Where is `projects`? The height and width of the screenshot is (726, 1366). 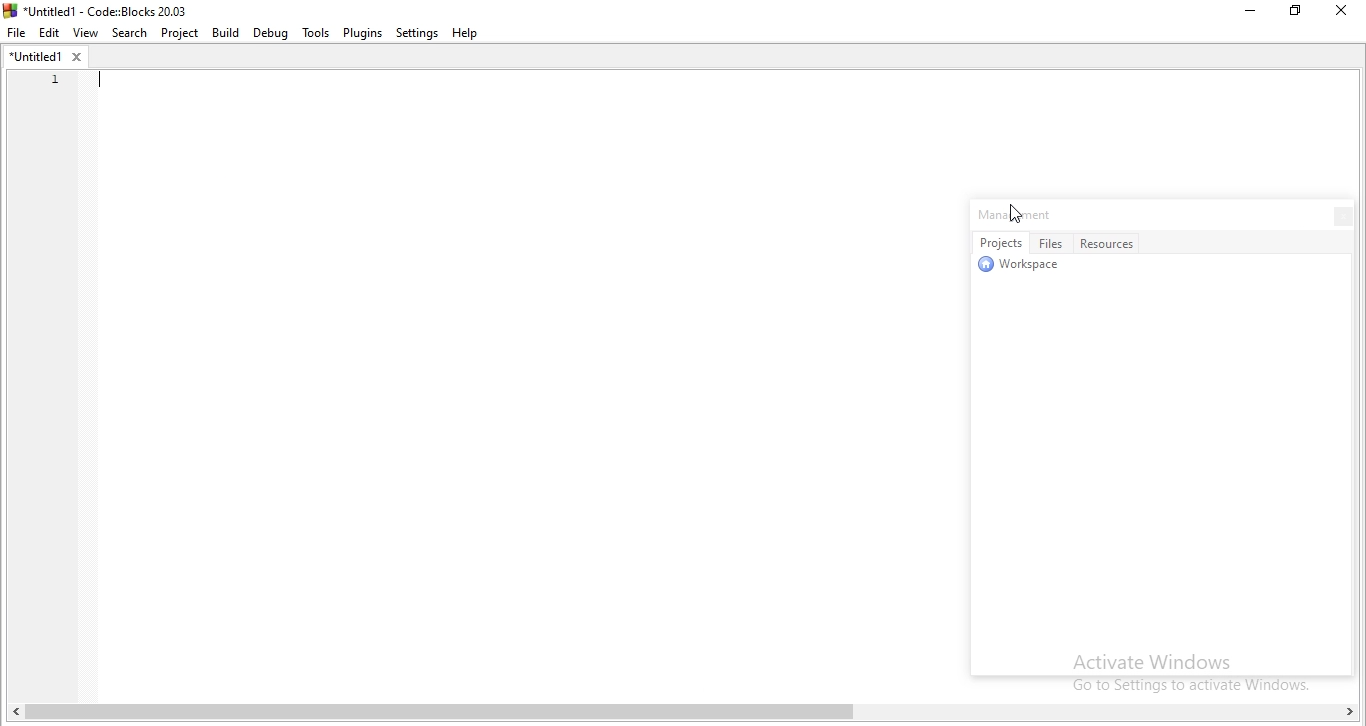 projects is located at coordinates (1000, 243).